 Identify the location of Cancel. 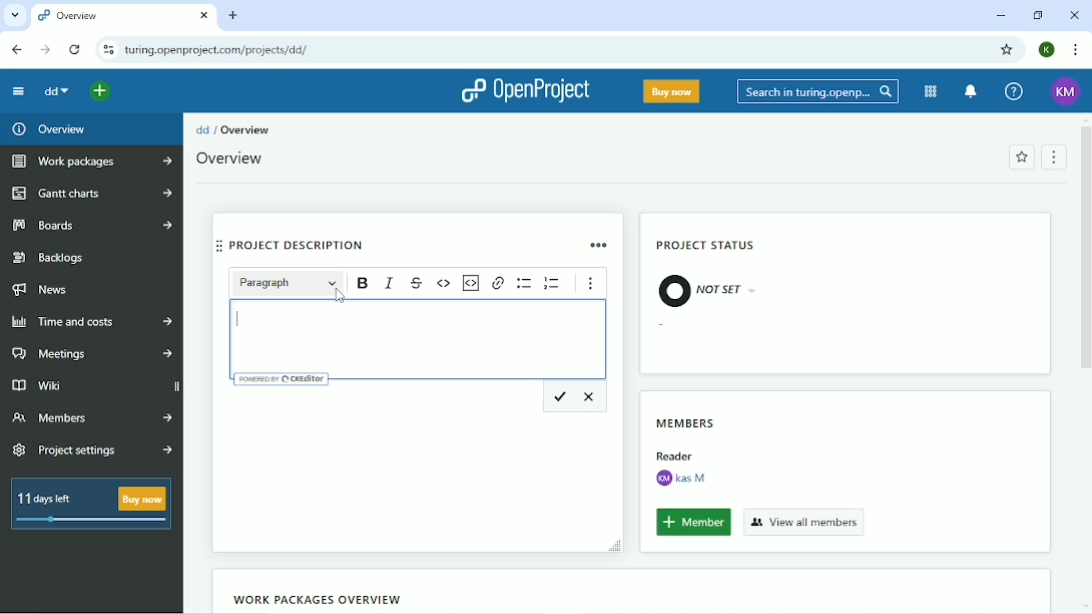
(592, 395).